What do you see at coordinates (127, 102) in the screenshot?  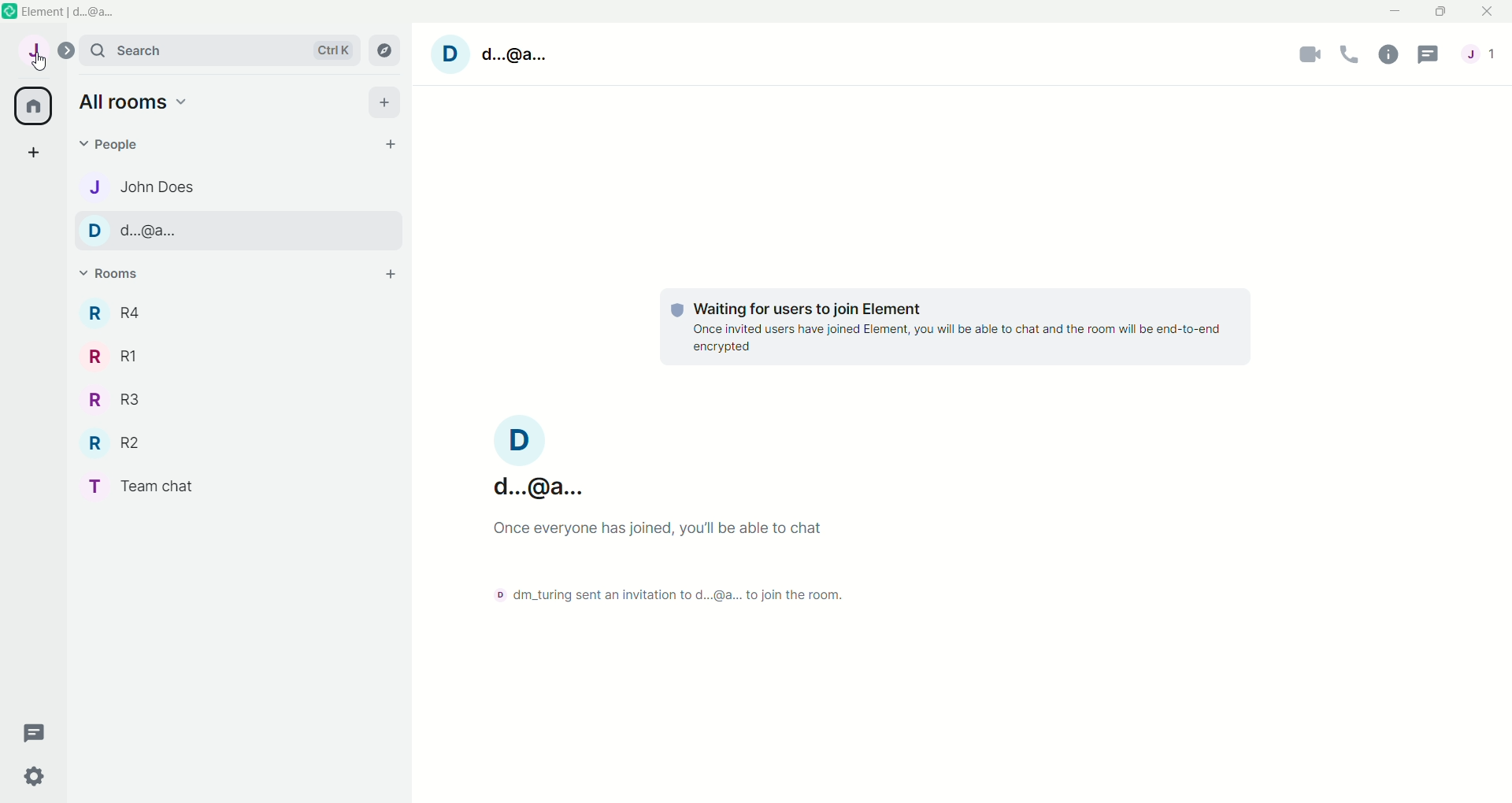 I see `Home options` at bounding box center [127, 102].